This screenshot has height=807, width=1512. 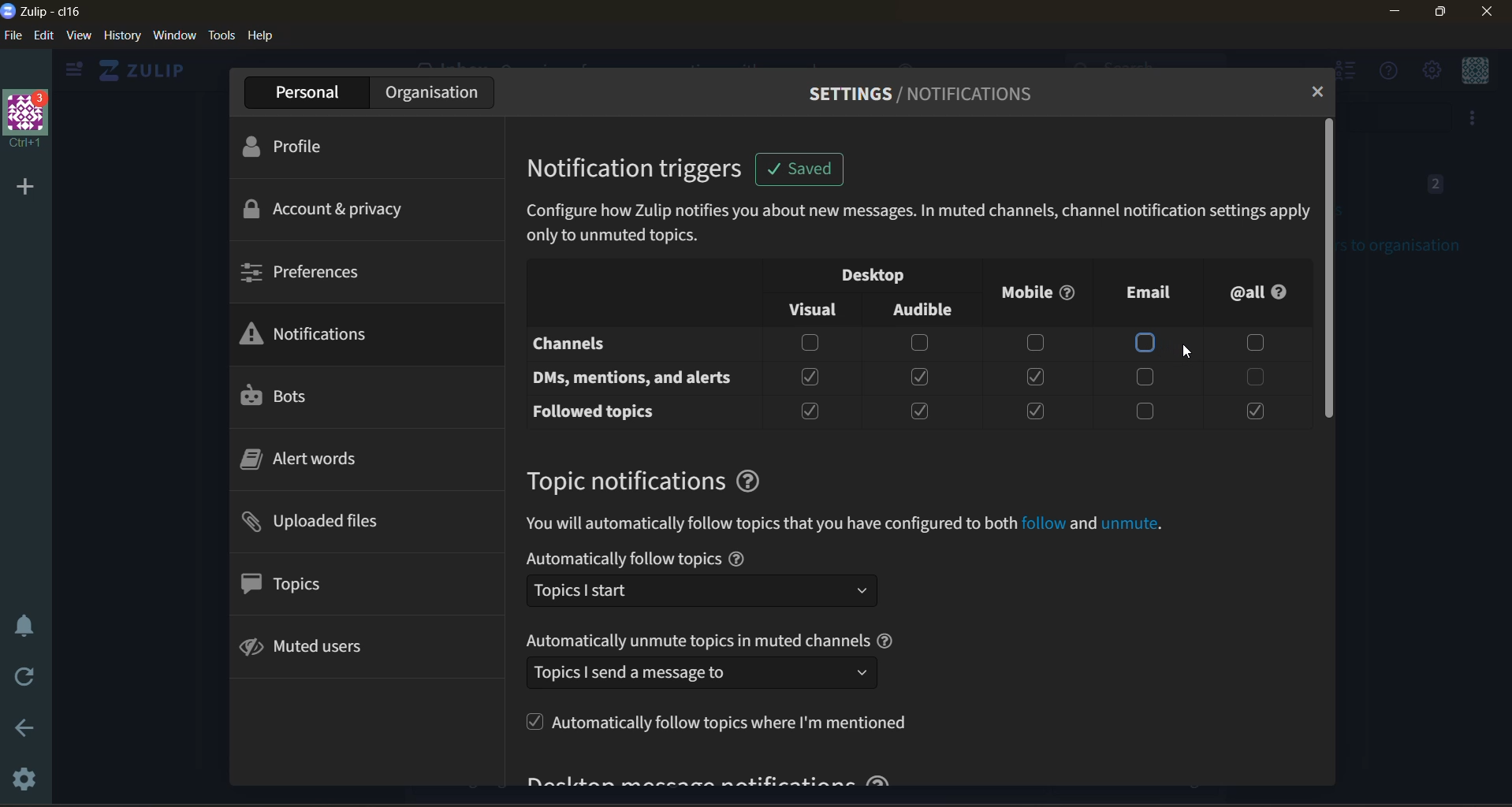 What do you see at coordinates (318, 335) in the screenshot?
I see `notifications` at bounding box center [318, 335].